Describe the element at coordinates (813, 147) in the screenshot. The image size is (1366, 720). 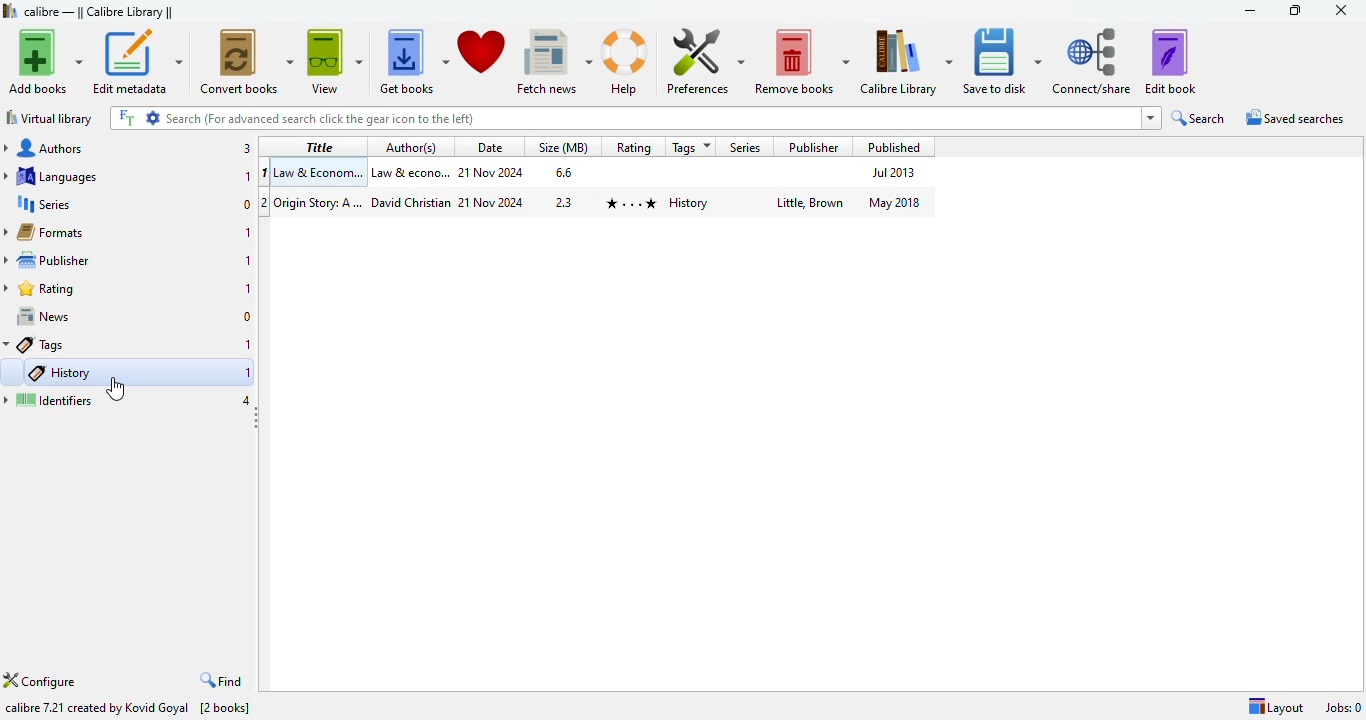
I see `publisher` at that location.